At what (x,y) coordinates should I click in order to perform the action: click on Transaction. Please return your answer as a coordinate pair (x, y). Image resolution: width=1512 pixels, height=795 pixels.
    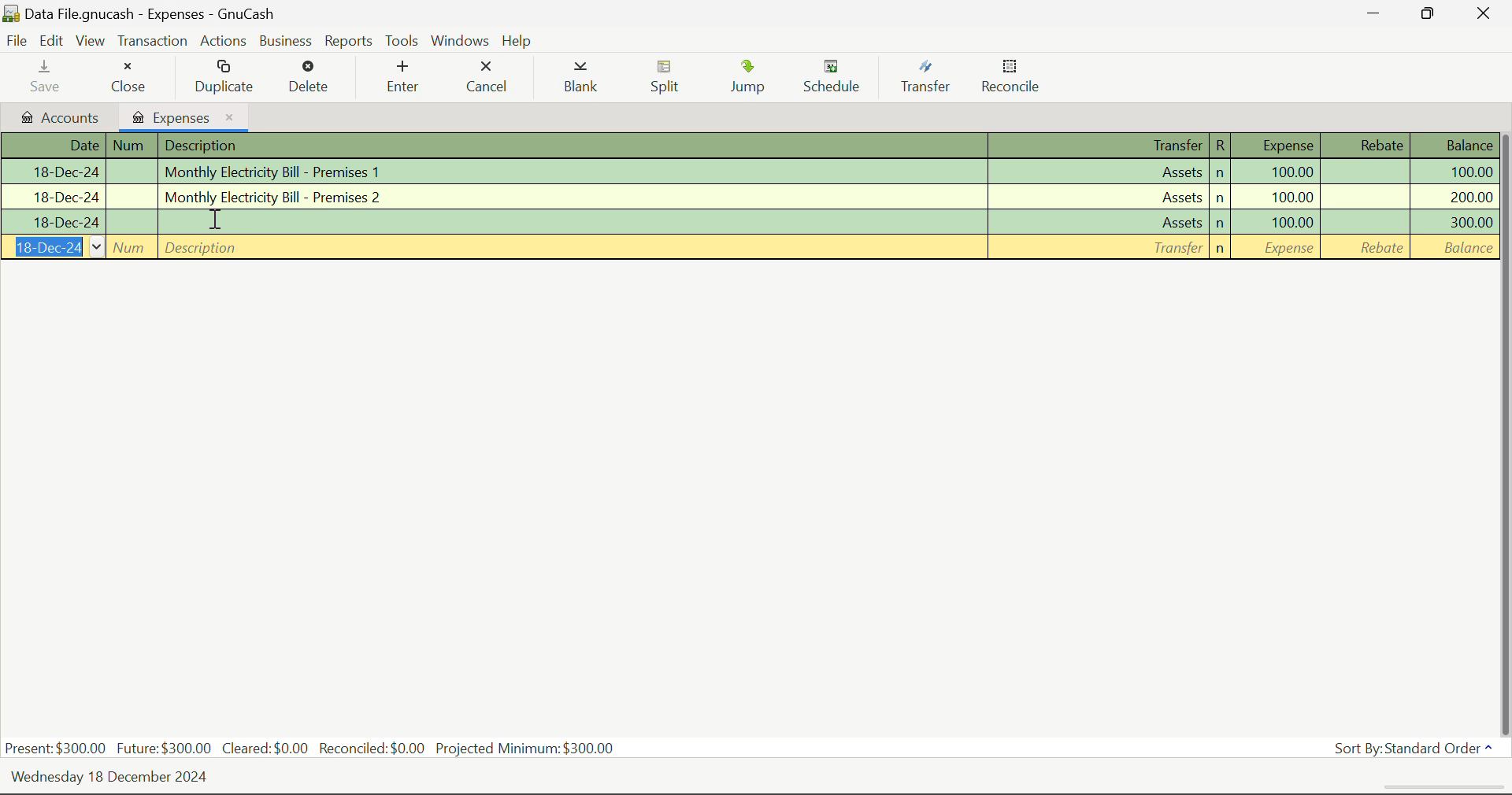
    Looking at the image, I should click on (152, 42).